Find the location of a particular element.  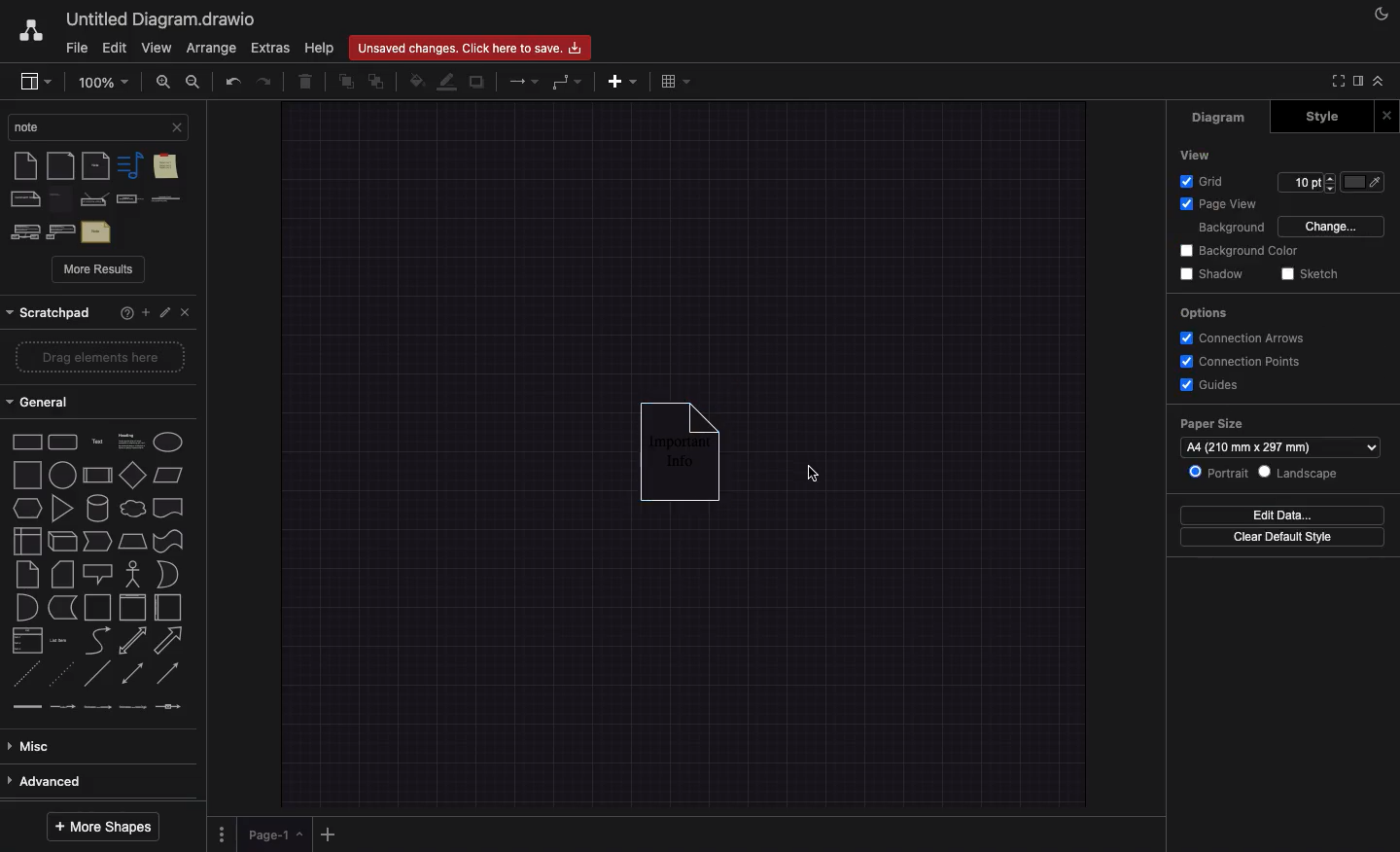

Background is located at coordinates (1227, 229).